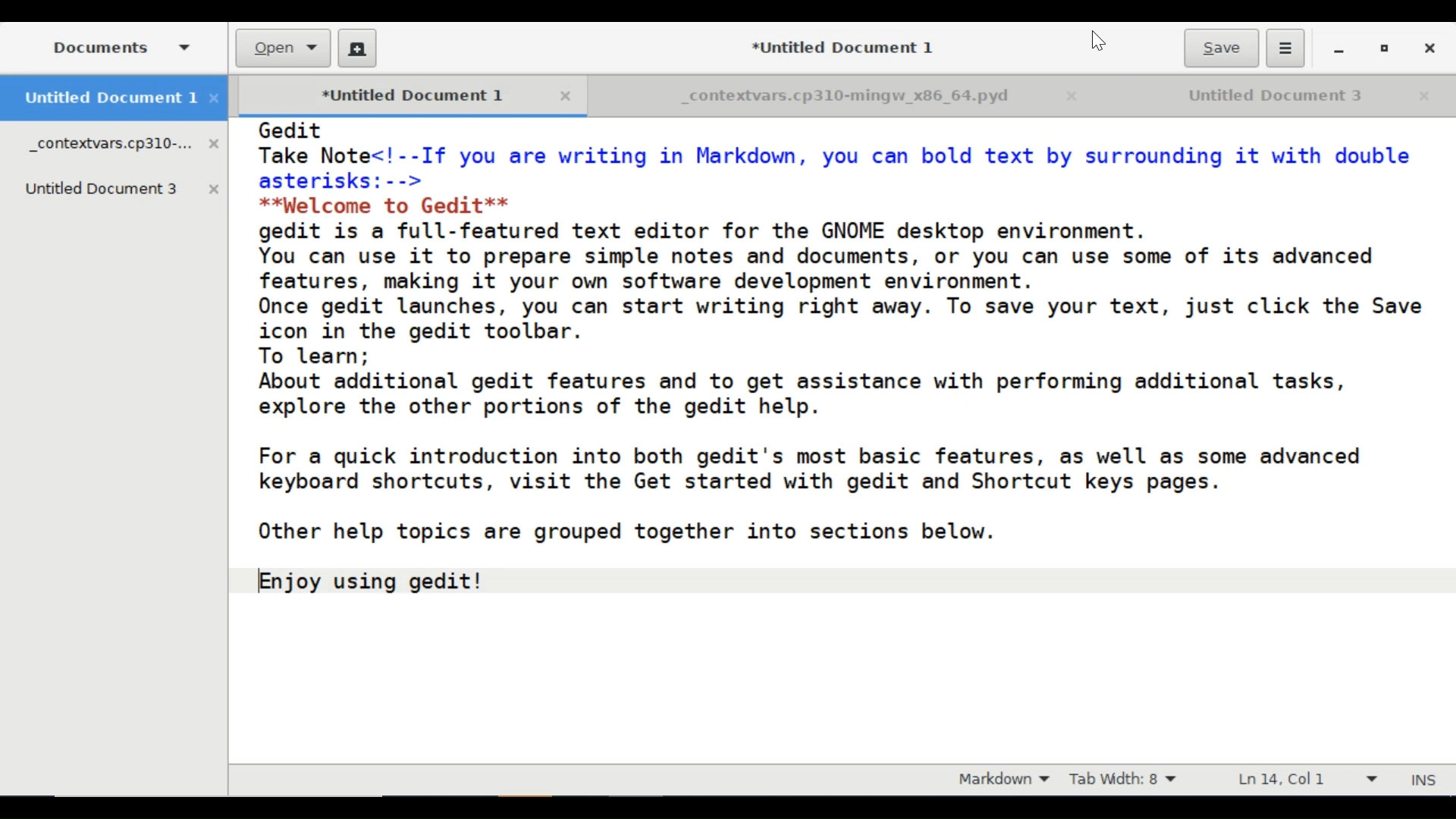  What do you see at coordinates (356, 48) in the screenshot?
I see `New File` at bounding box center [356, 48].